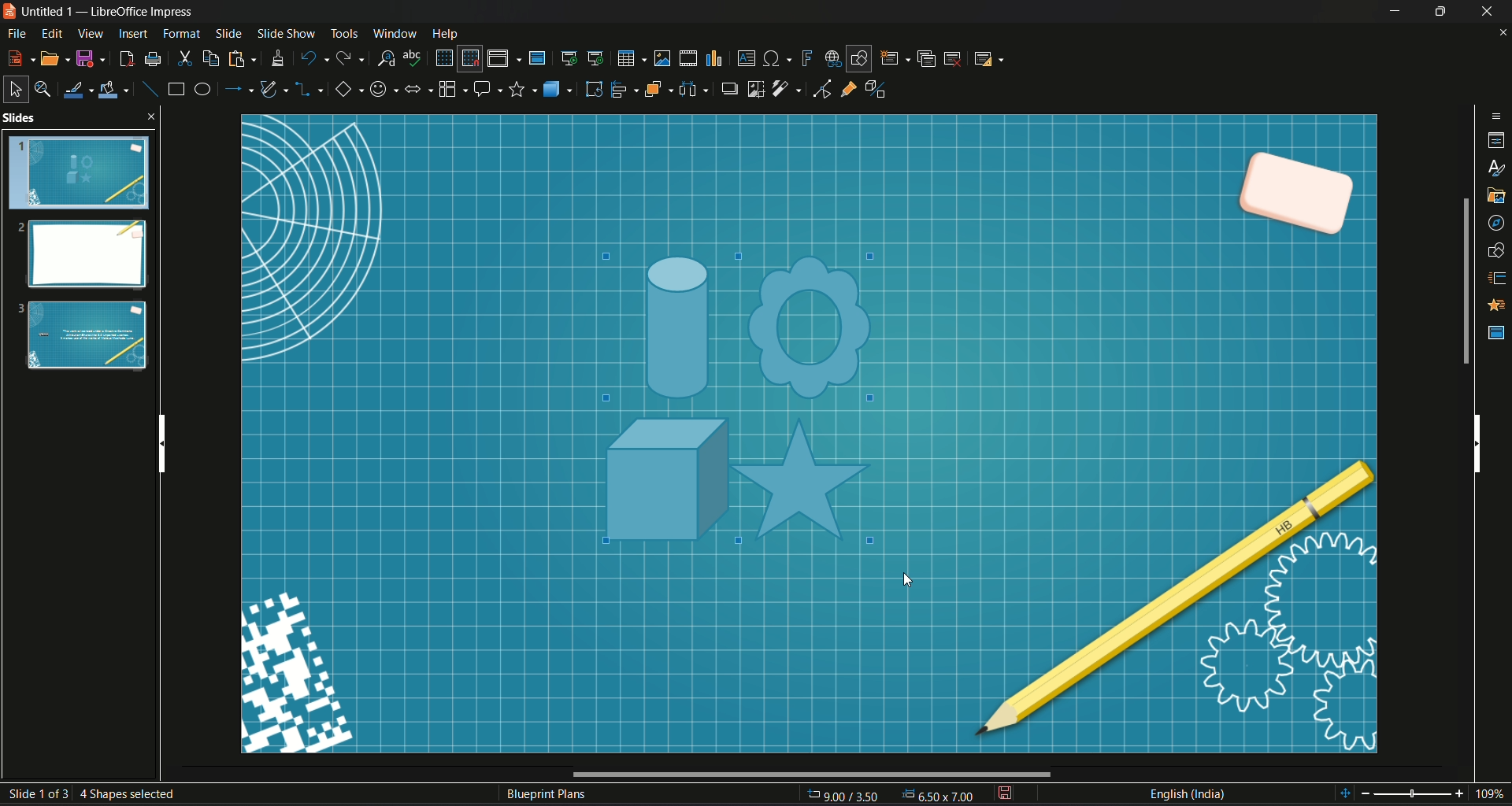 The width and height of the screenshot is (1512, 806). What do you see at coordinates (211, 59) in the screenshot?
I see `copy ` at bounding box center [211, 59].